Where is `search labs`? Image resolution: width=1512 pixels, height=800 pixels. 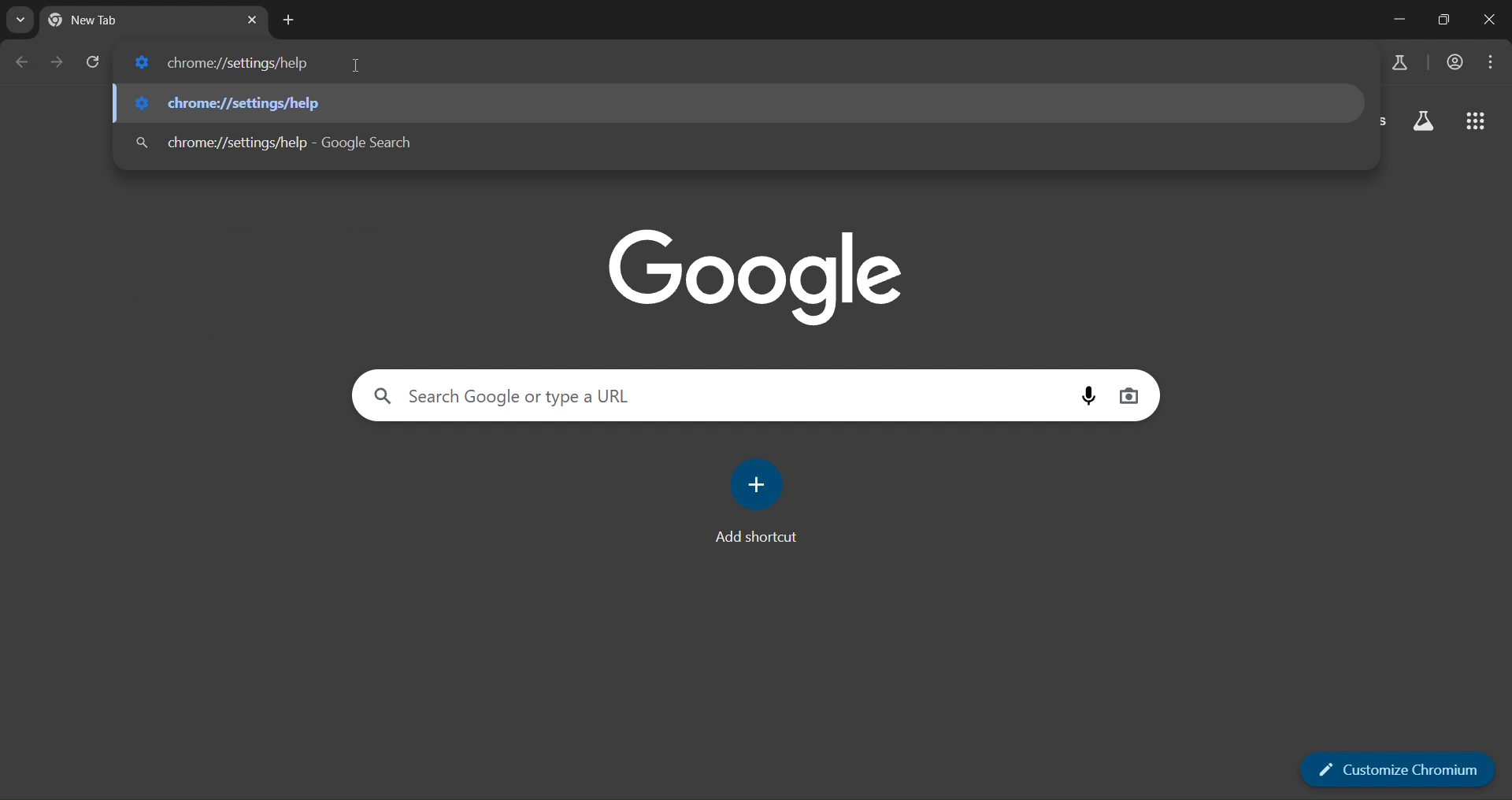 search labs is located at coordinates (1424, 120).